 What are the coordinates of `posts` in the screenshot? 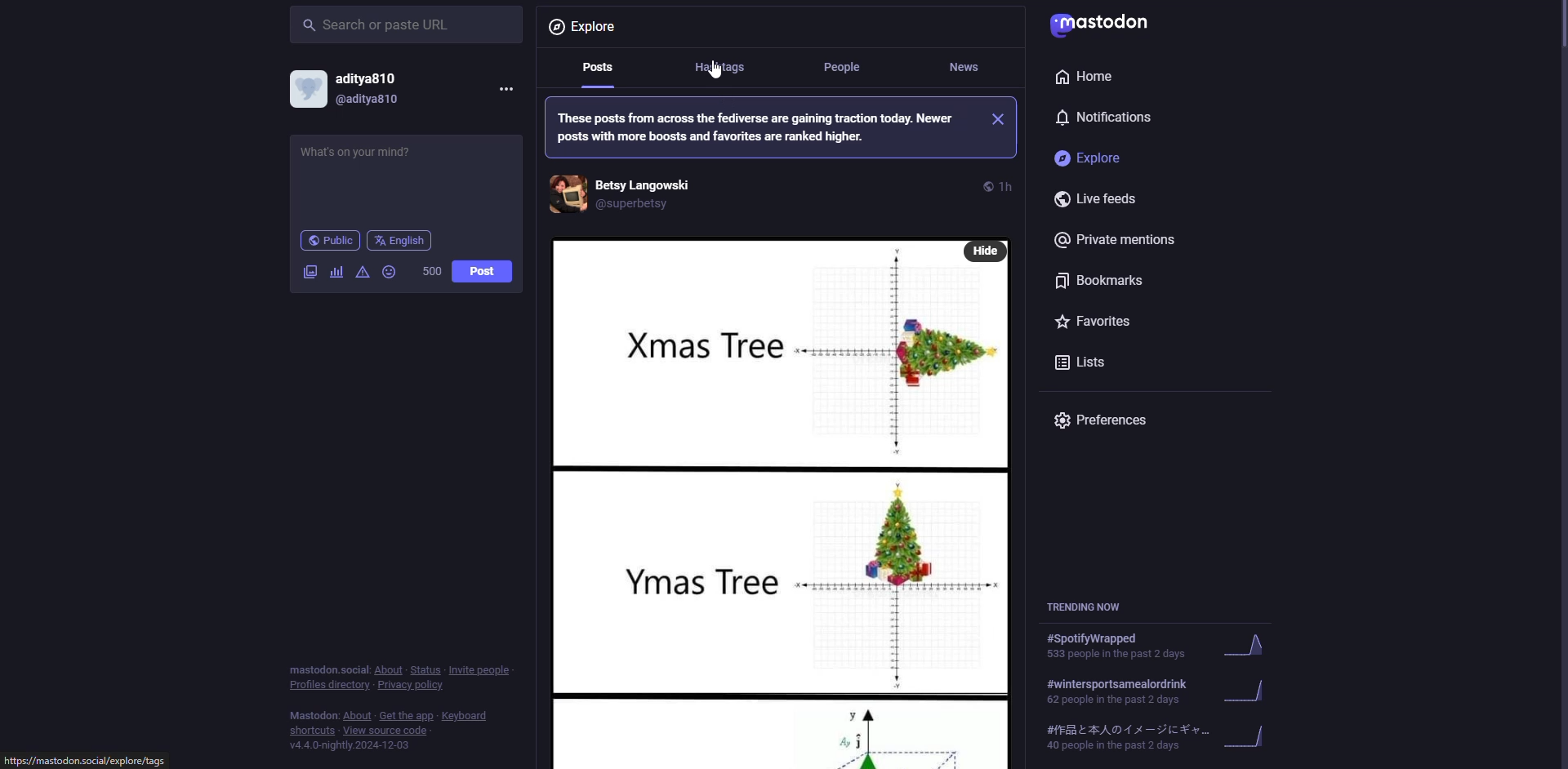 It's located at (604, 68).